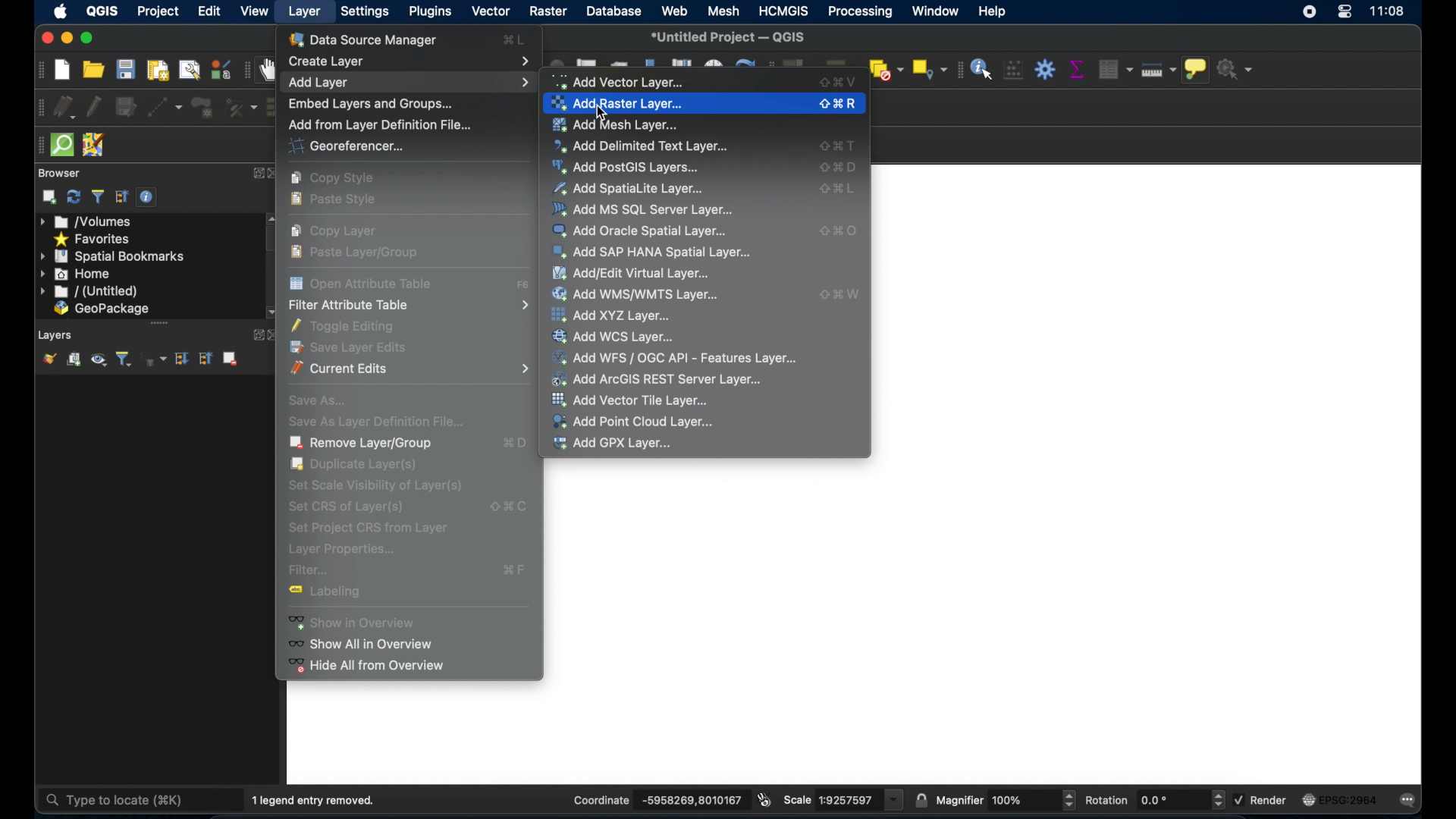  What do you see at coordinates (271, 218) in the screenshot?
I see `scroll up arrow` at bounding box center [271, 218].